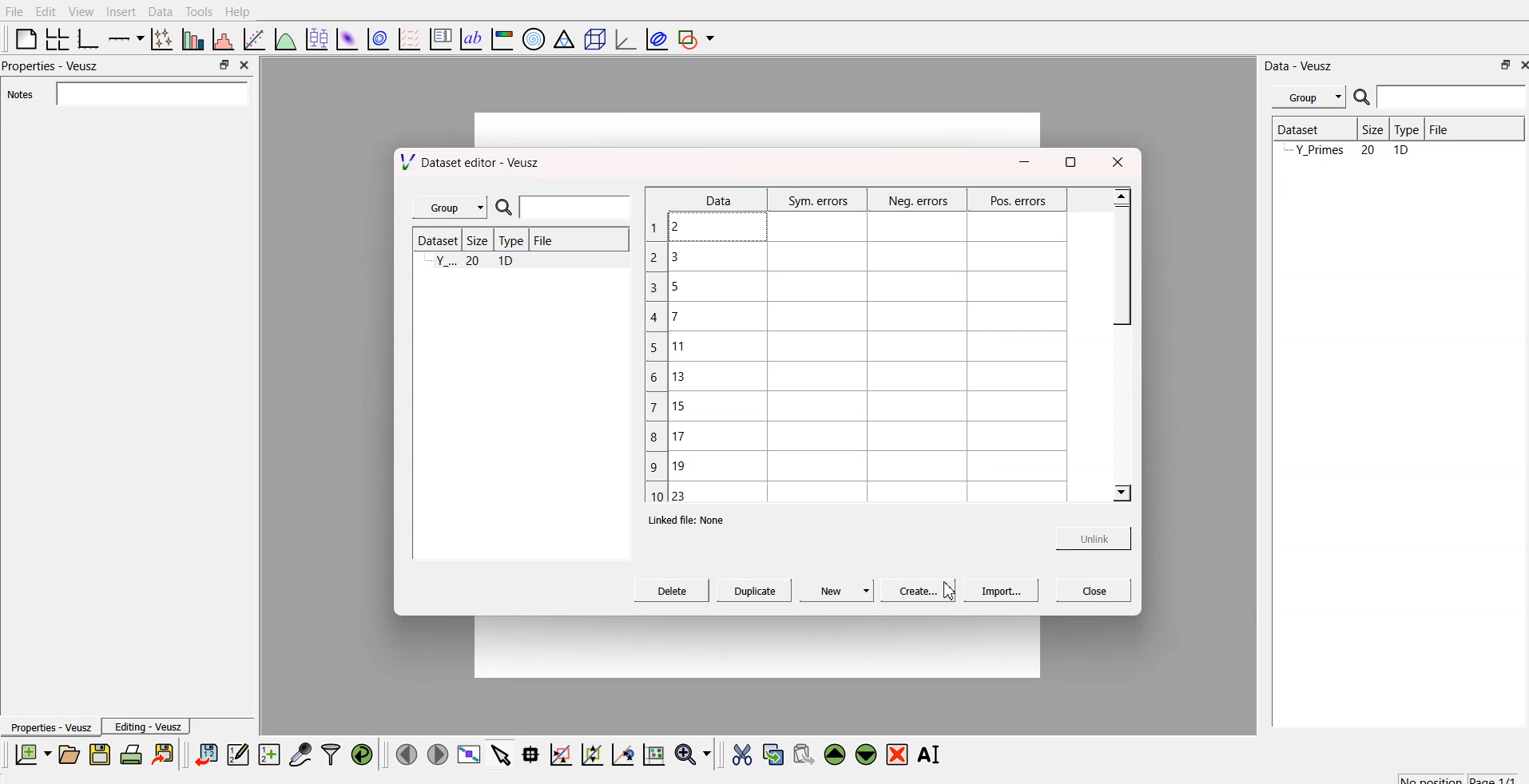  What do you see at coordinates (502, 206) in the screenshot?
I see `search icon` at bounding box center [502, 206].